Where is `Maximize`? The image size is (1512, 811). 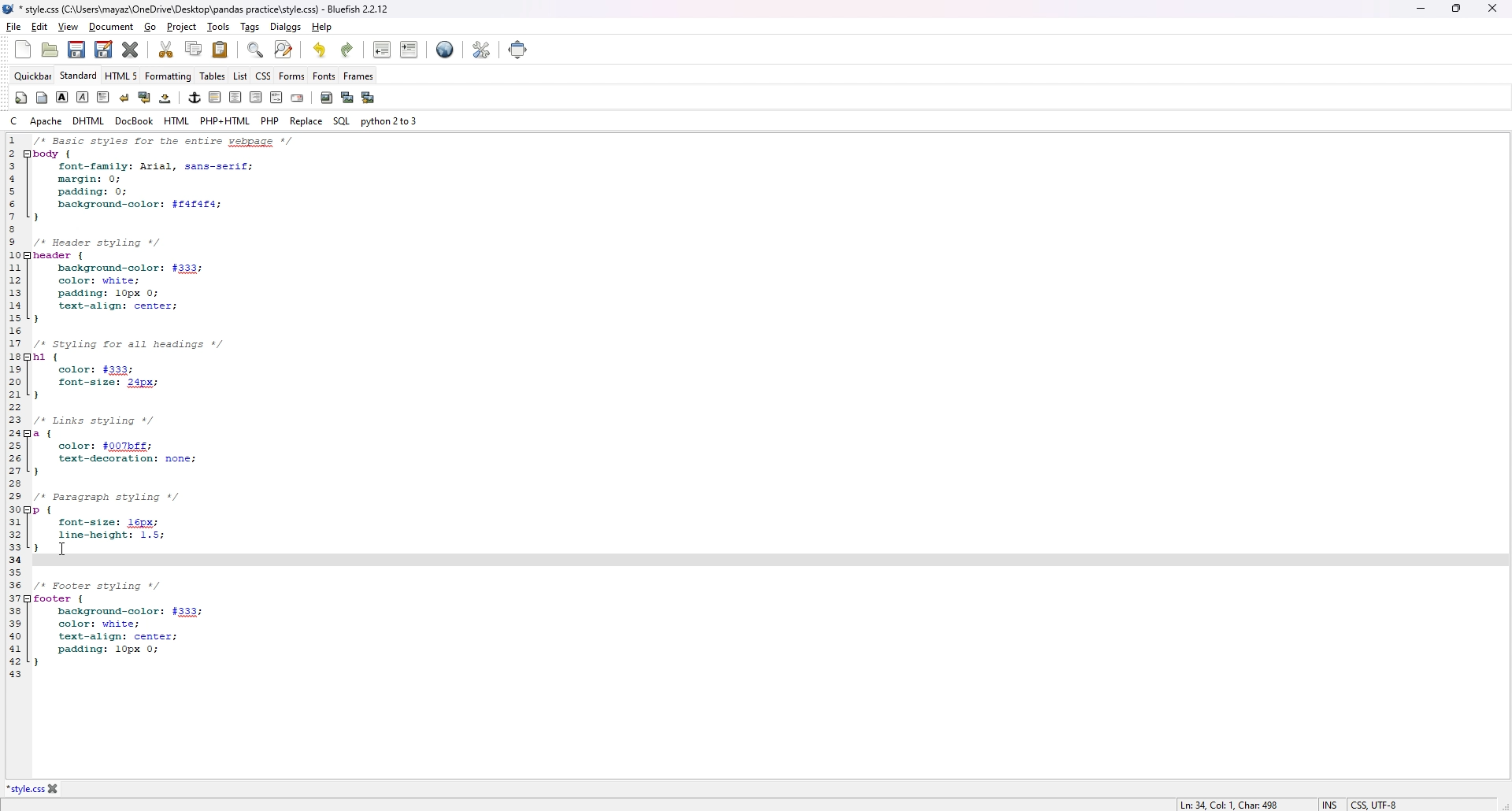 Maximize is located at coordinates (1457, 8).